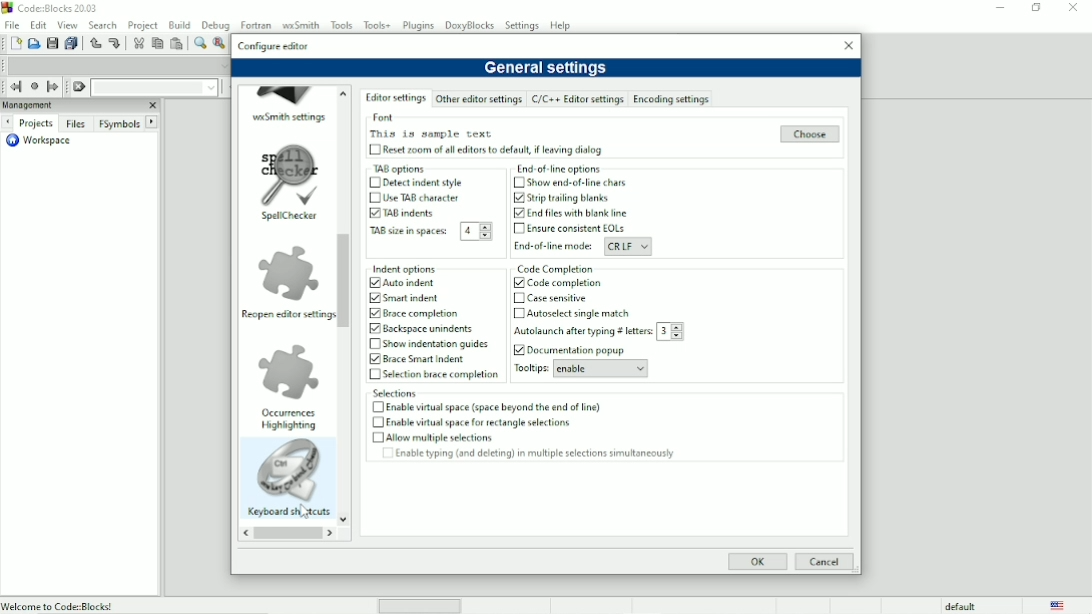 Image resolution: width=1092 pixels, height=614 pixels. Describe the element at coordinates (70, 43) in the screenshot. I see `Save everything` at that location.